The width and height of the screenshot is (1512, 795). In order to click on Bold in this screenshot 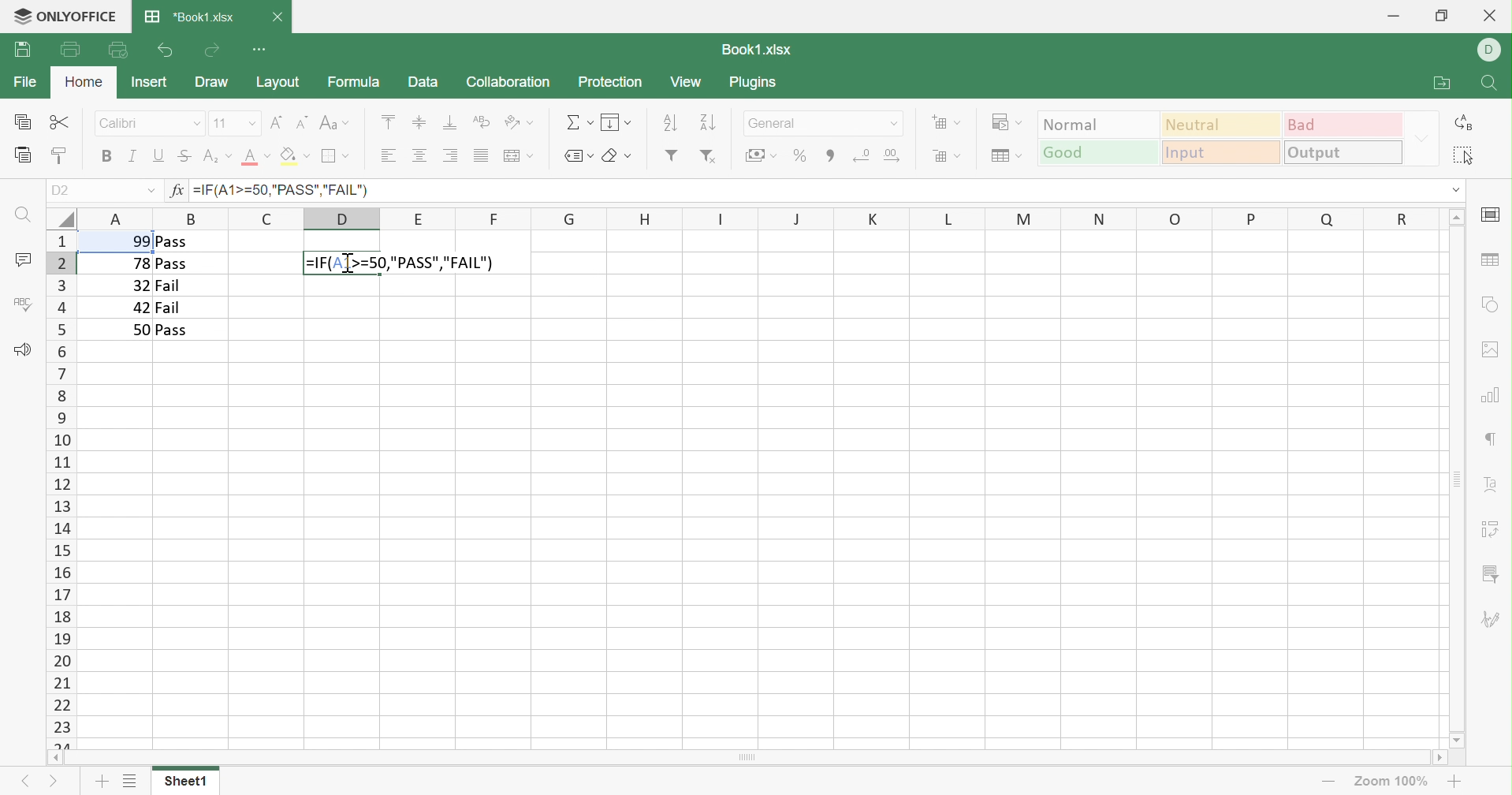, I will do `click(108, 156)`.